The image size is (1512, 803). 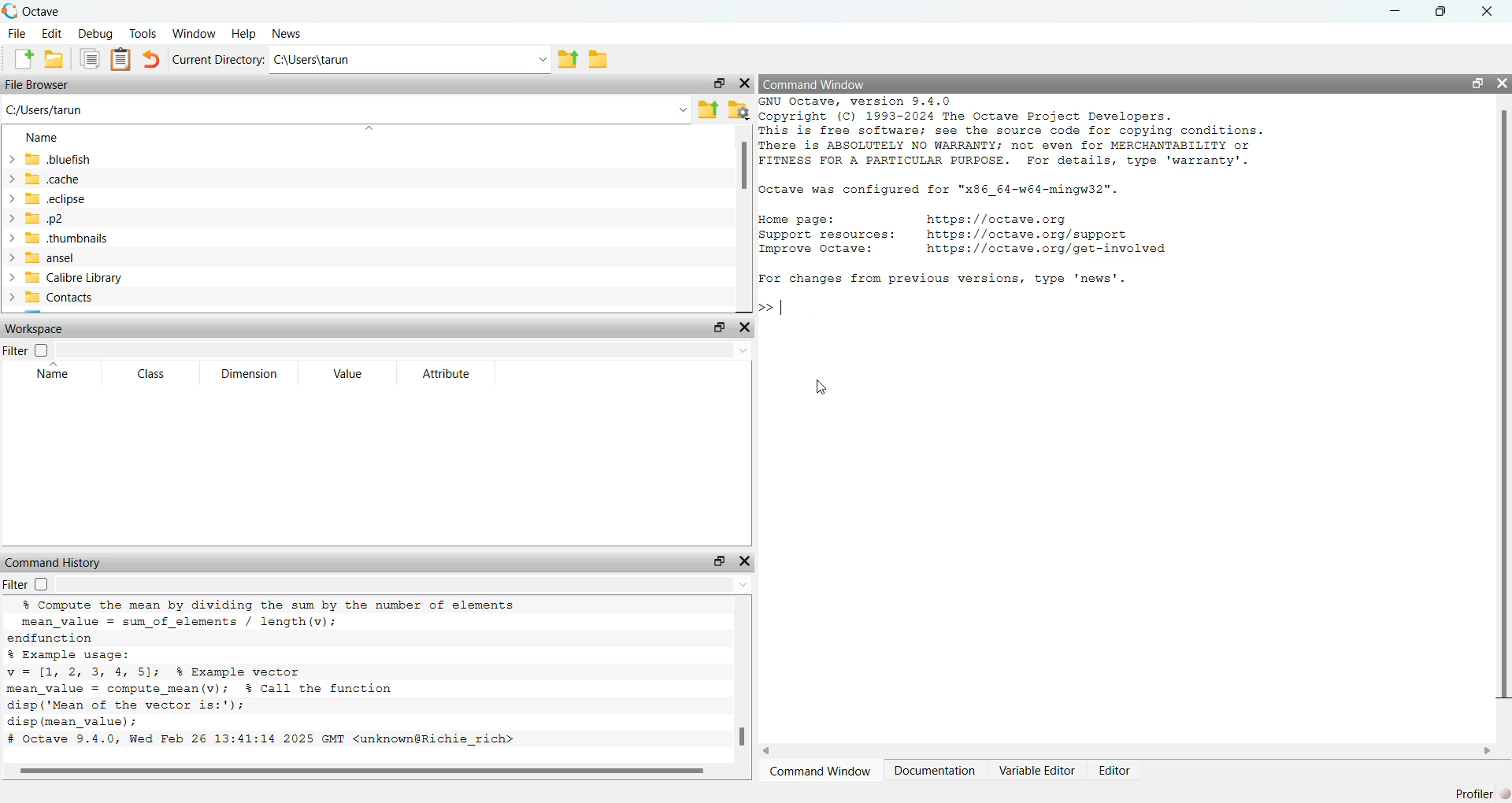 I want to click on close, so click(x=745, y=83).